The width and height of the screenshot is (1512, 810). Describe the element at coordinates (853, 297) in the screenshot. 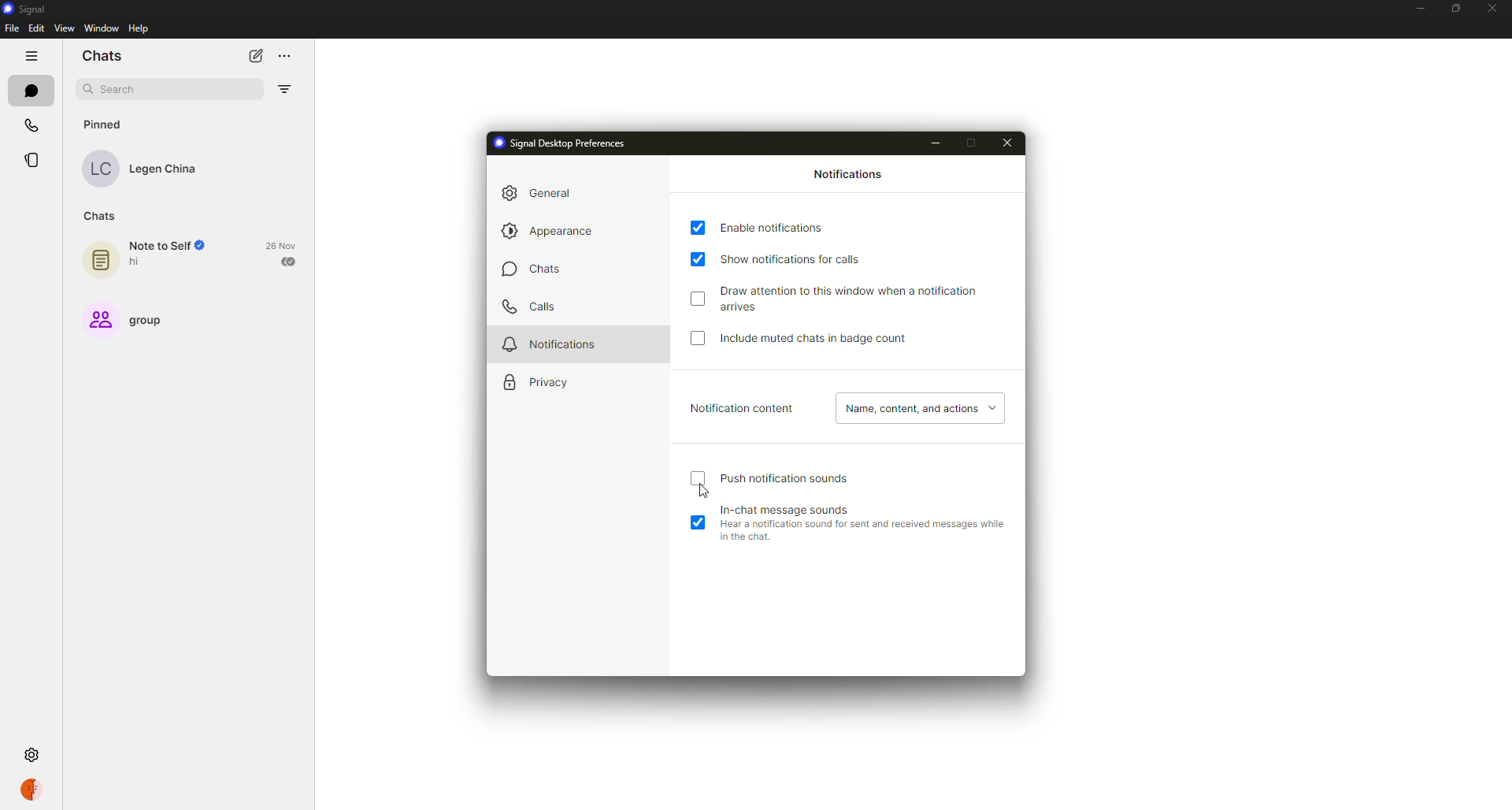

I see `draw attention to this window when notification arrives` at that location.